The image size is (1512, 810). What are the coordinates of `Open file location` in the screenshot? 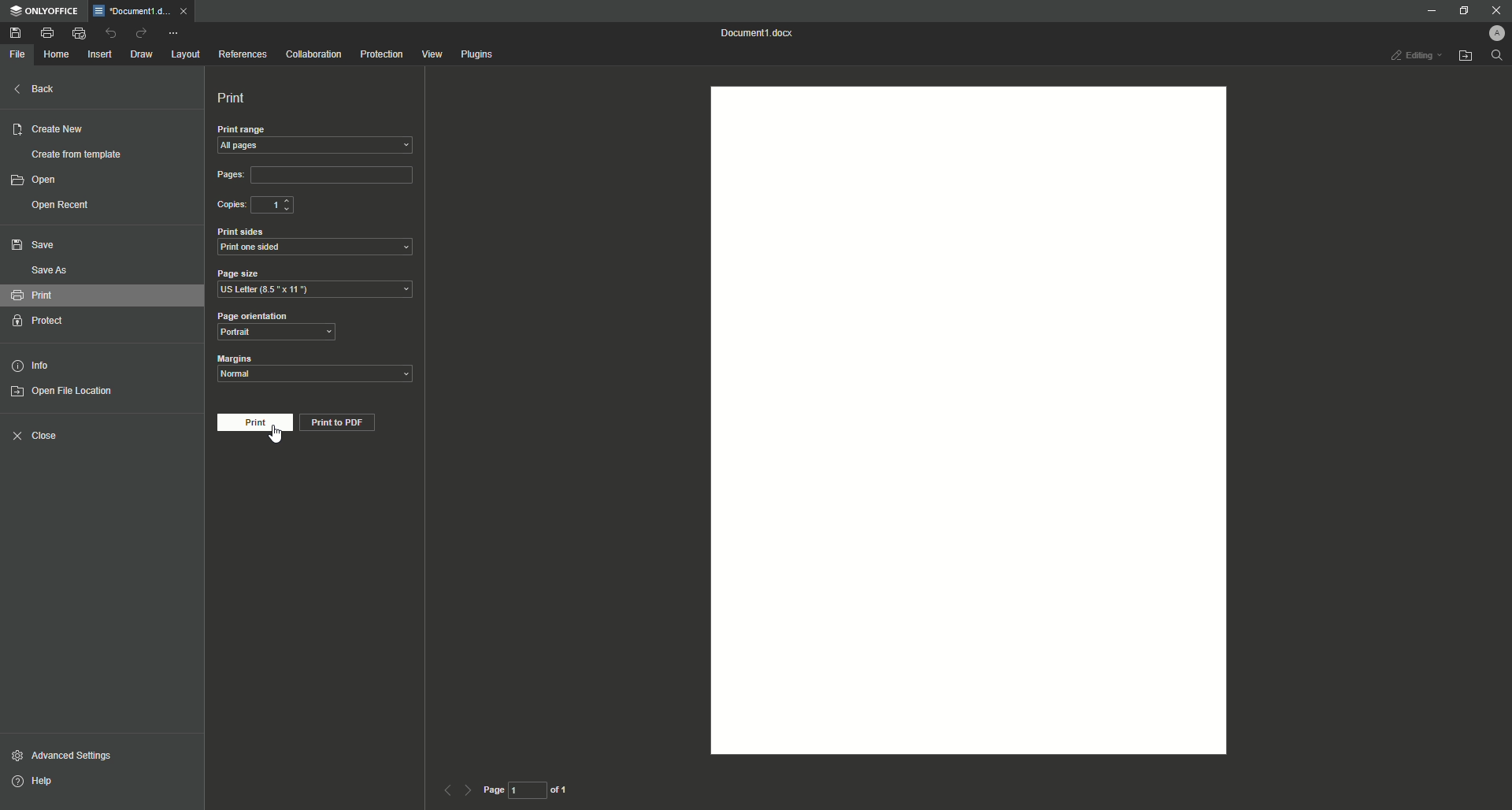 It's located at (1467, 56).